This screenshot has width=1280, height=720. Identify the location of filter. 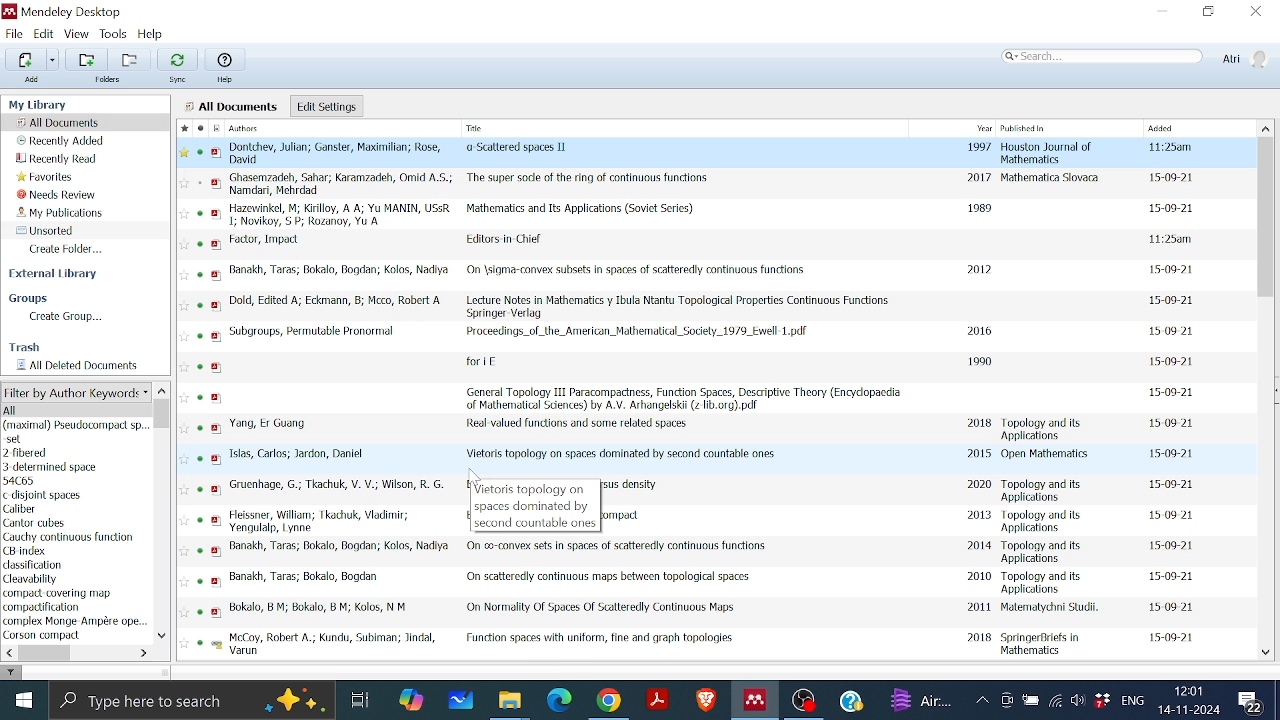
(11, 673).